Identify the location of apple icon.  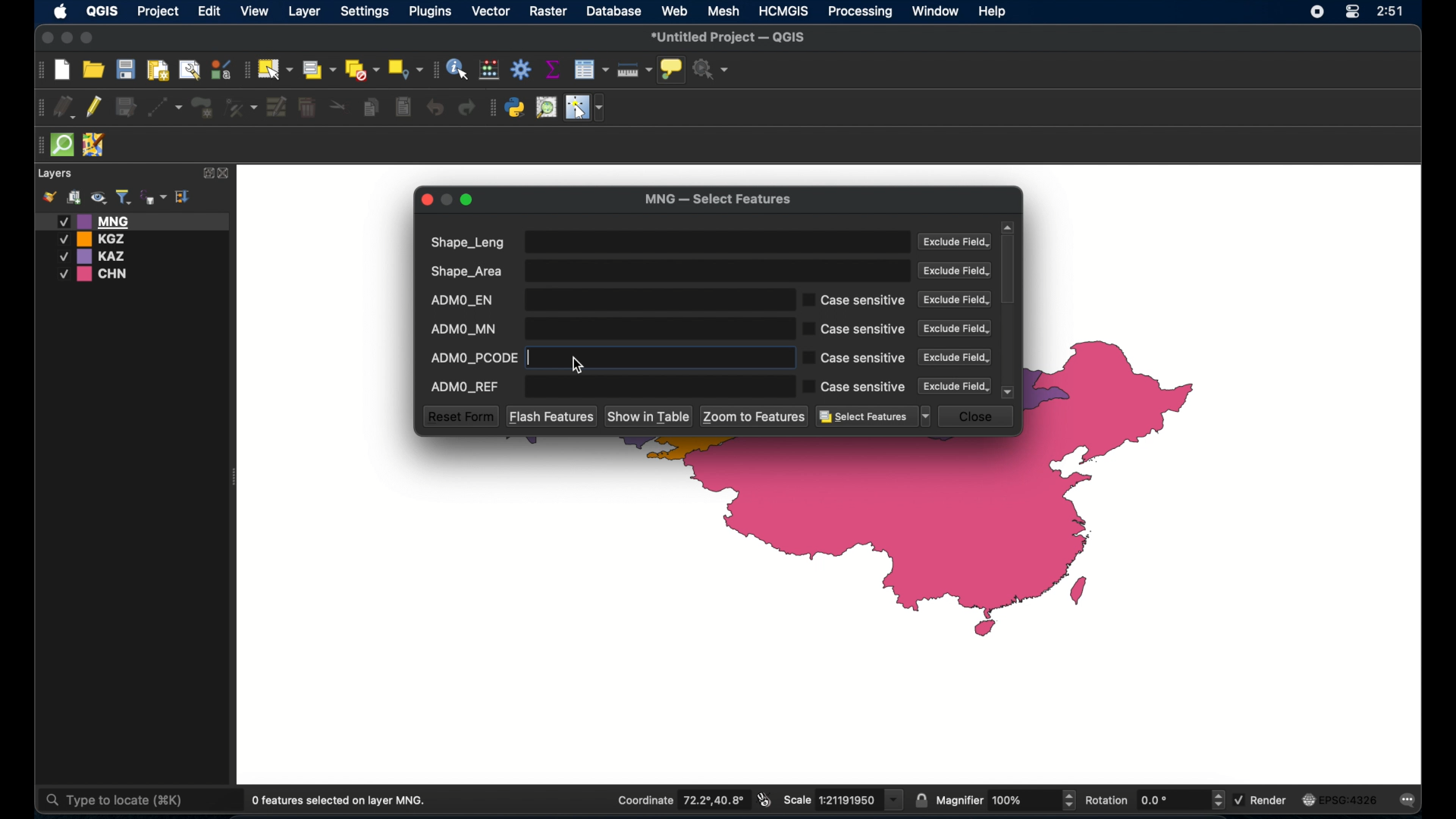
(61, 13).